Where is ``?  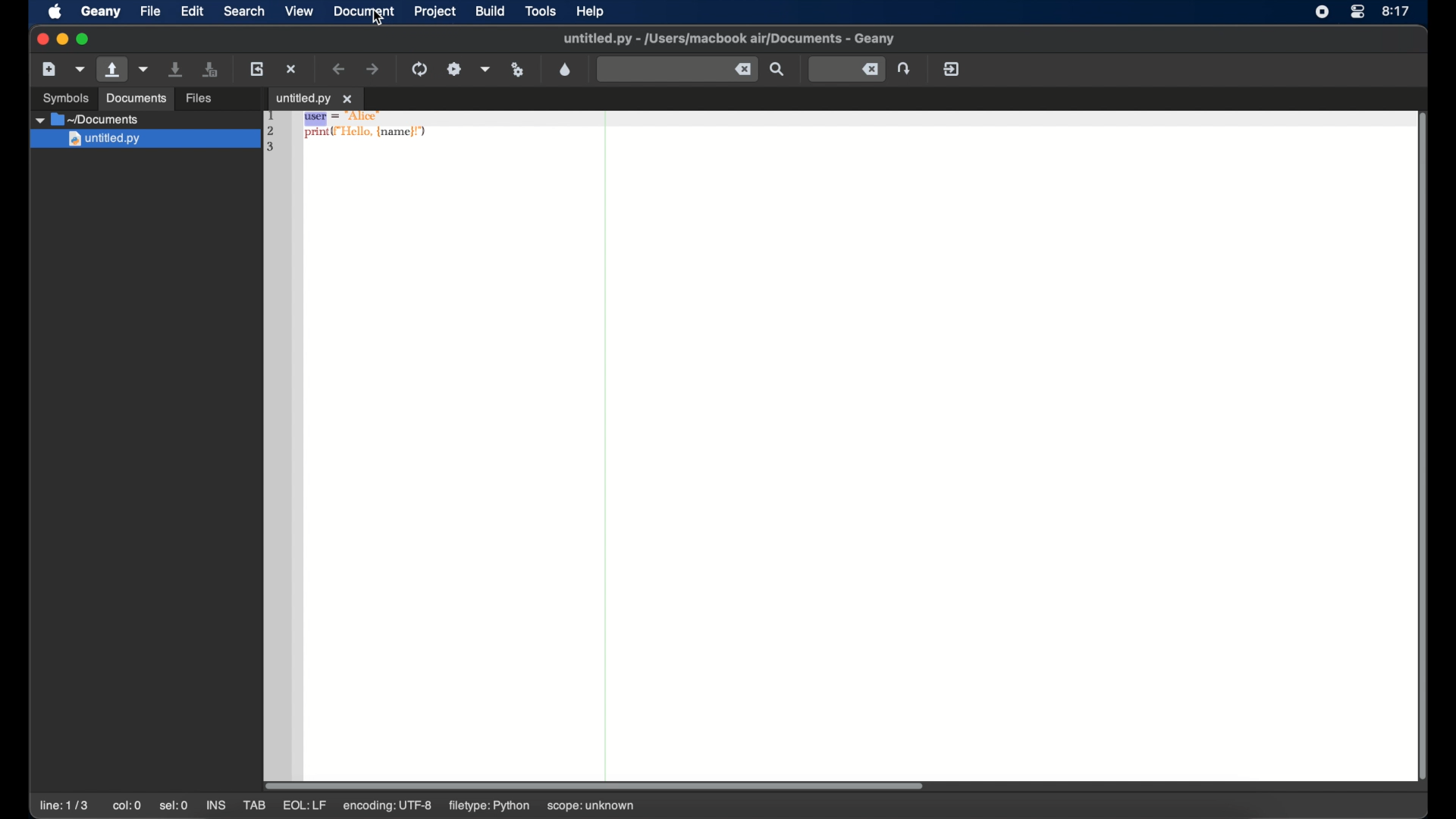
 is located at coordinates (143, 140).